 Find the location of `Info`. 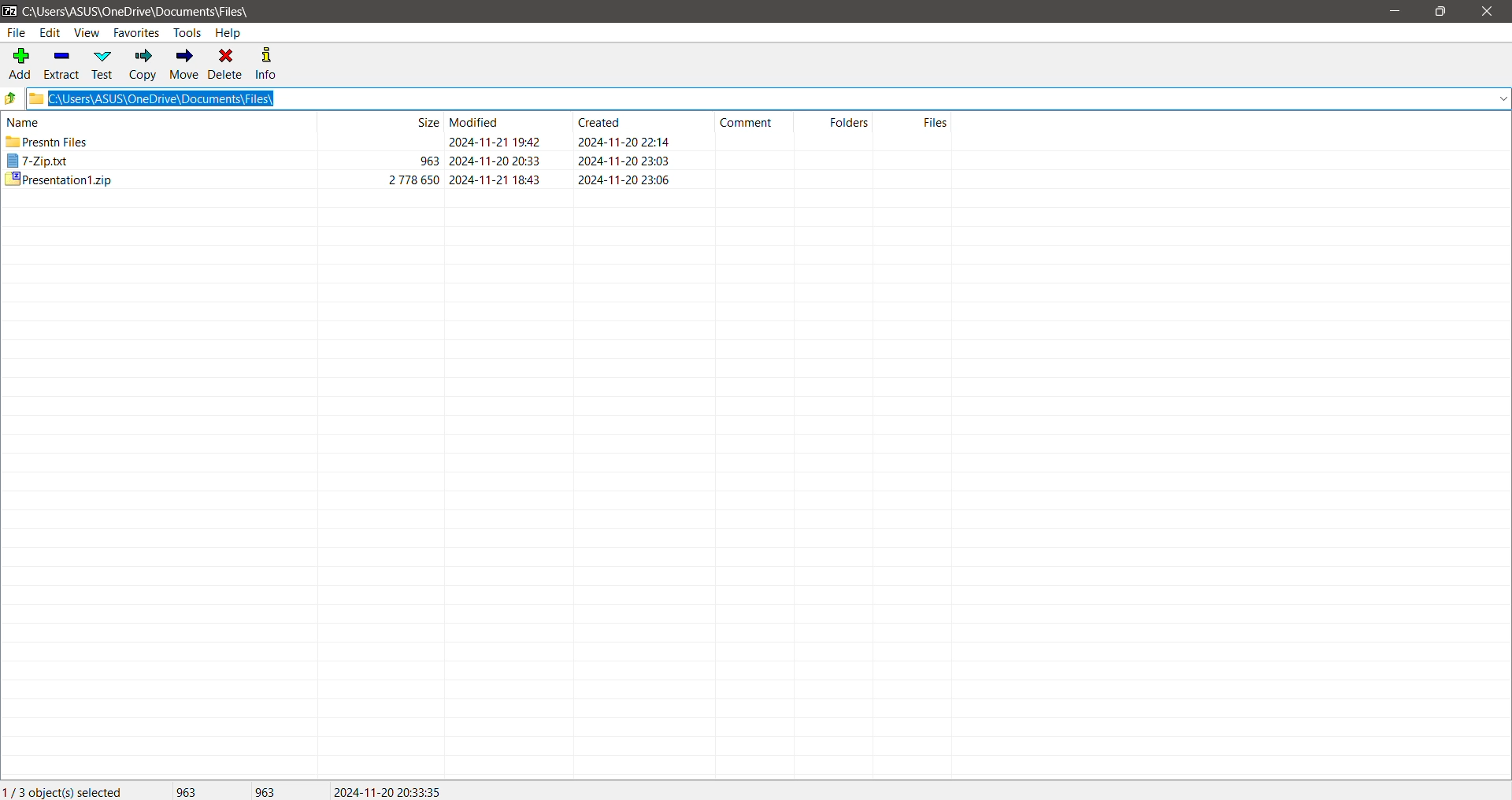

Info is located at coordinates (272, 64).